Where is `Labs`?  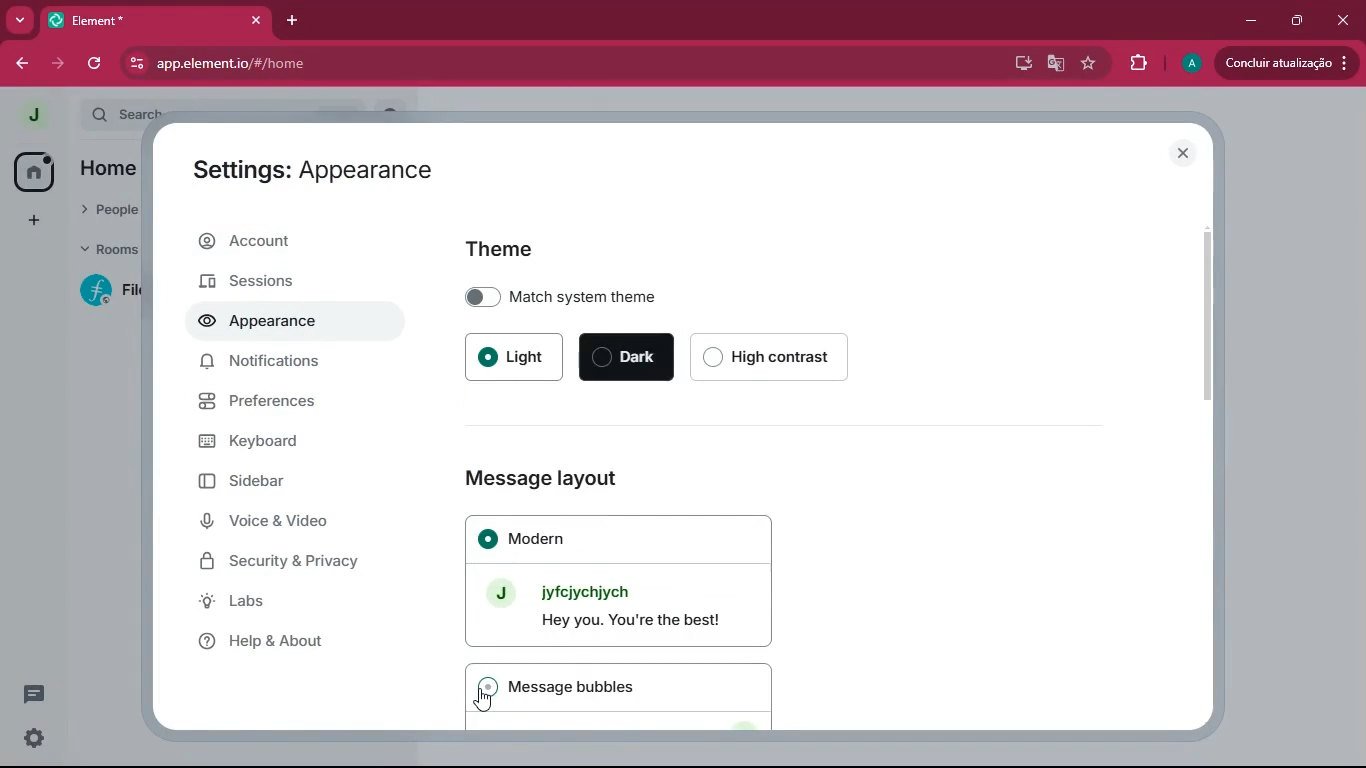 Labs is located at coordinates (240, 600).